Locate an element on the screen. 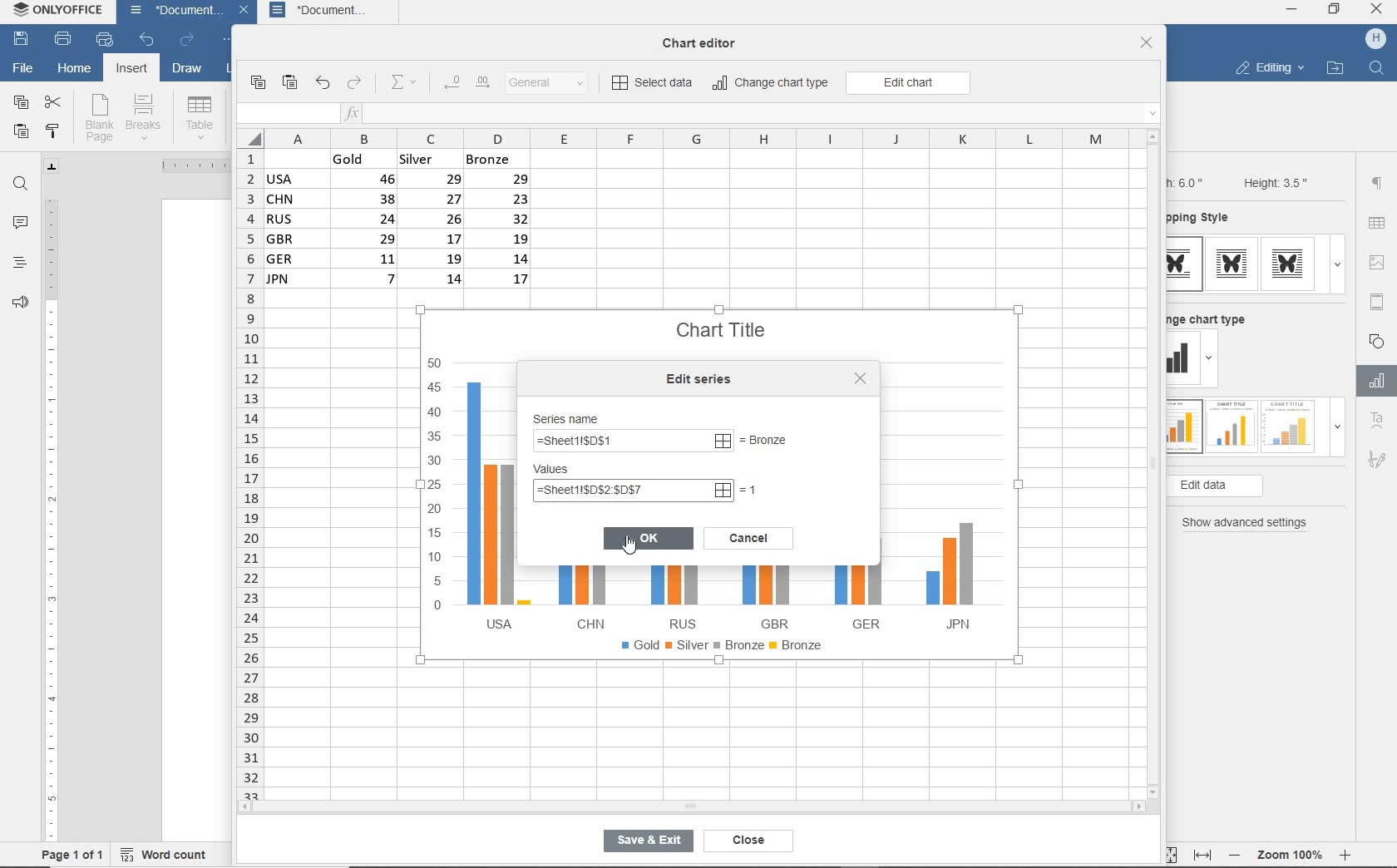 This screenshot has height=868, width=1397. Text Art Settings is located at coordinates (1375, 422).